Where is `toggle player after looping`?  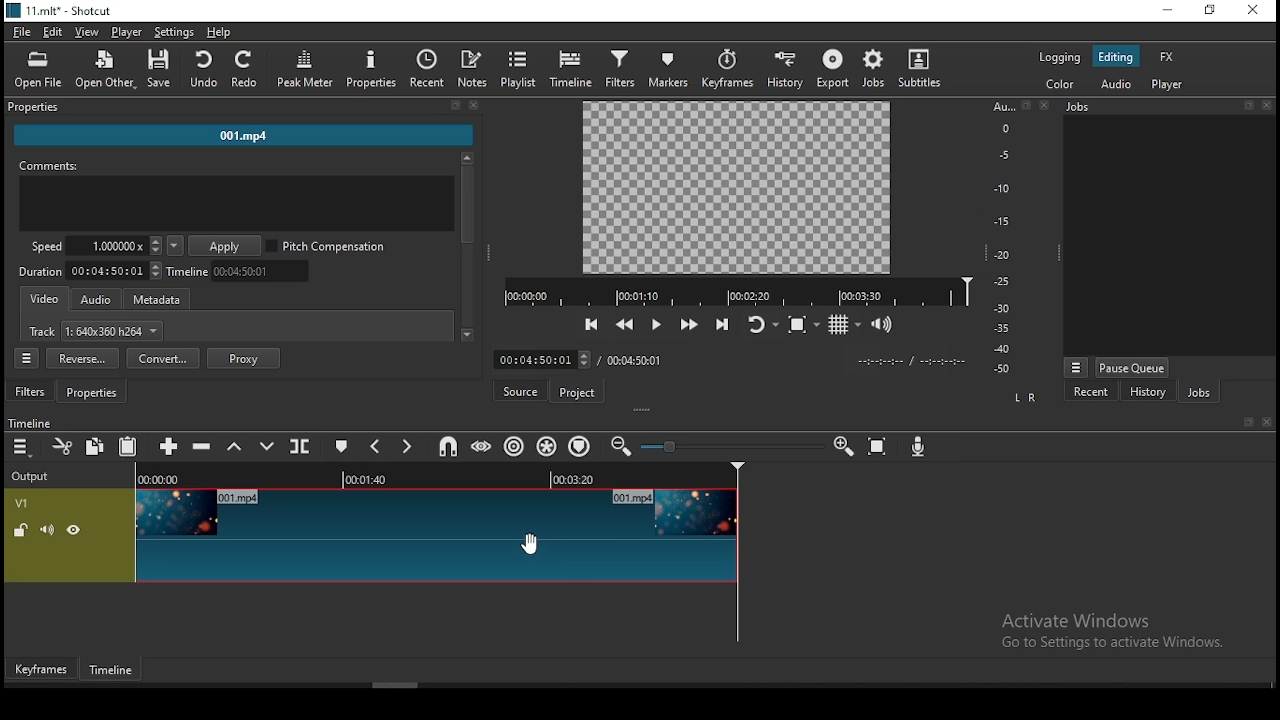 toggle player after looping is located at coordinates (762, 326).